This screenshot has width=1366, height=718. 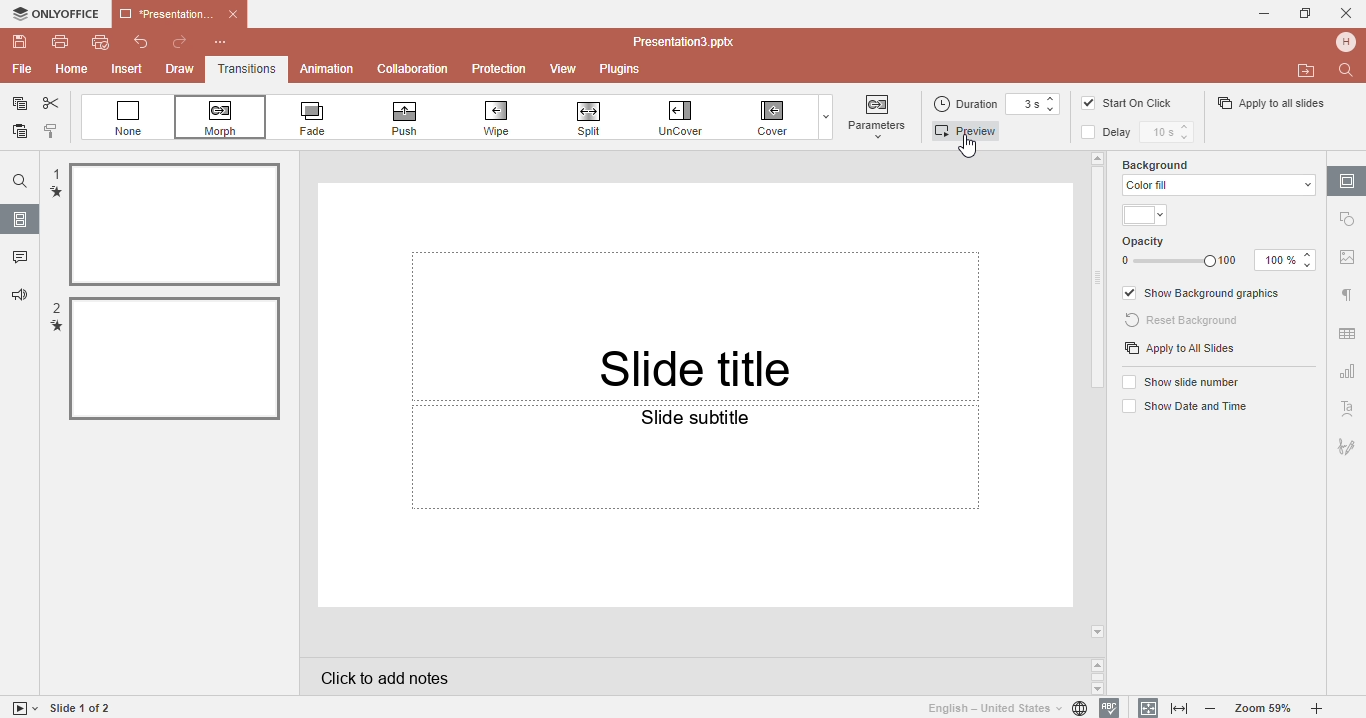 I want to click on Opacity, so click(x=1220, y=253).